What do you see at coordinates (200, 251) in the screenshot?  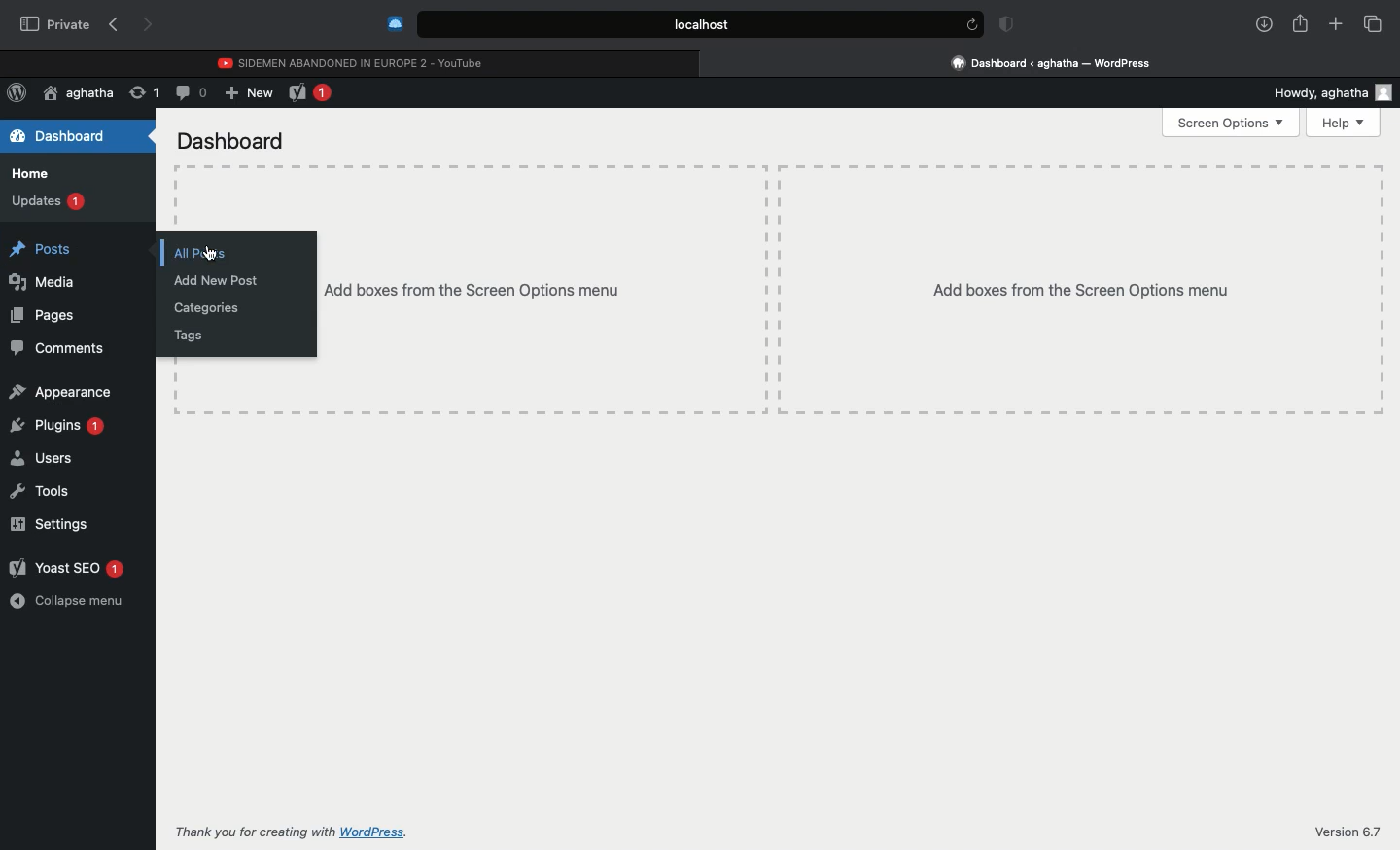 I see `All posts` at bounding box center [200, 251].